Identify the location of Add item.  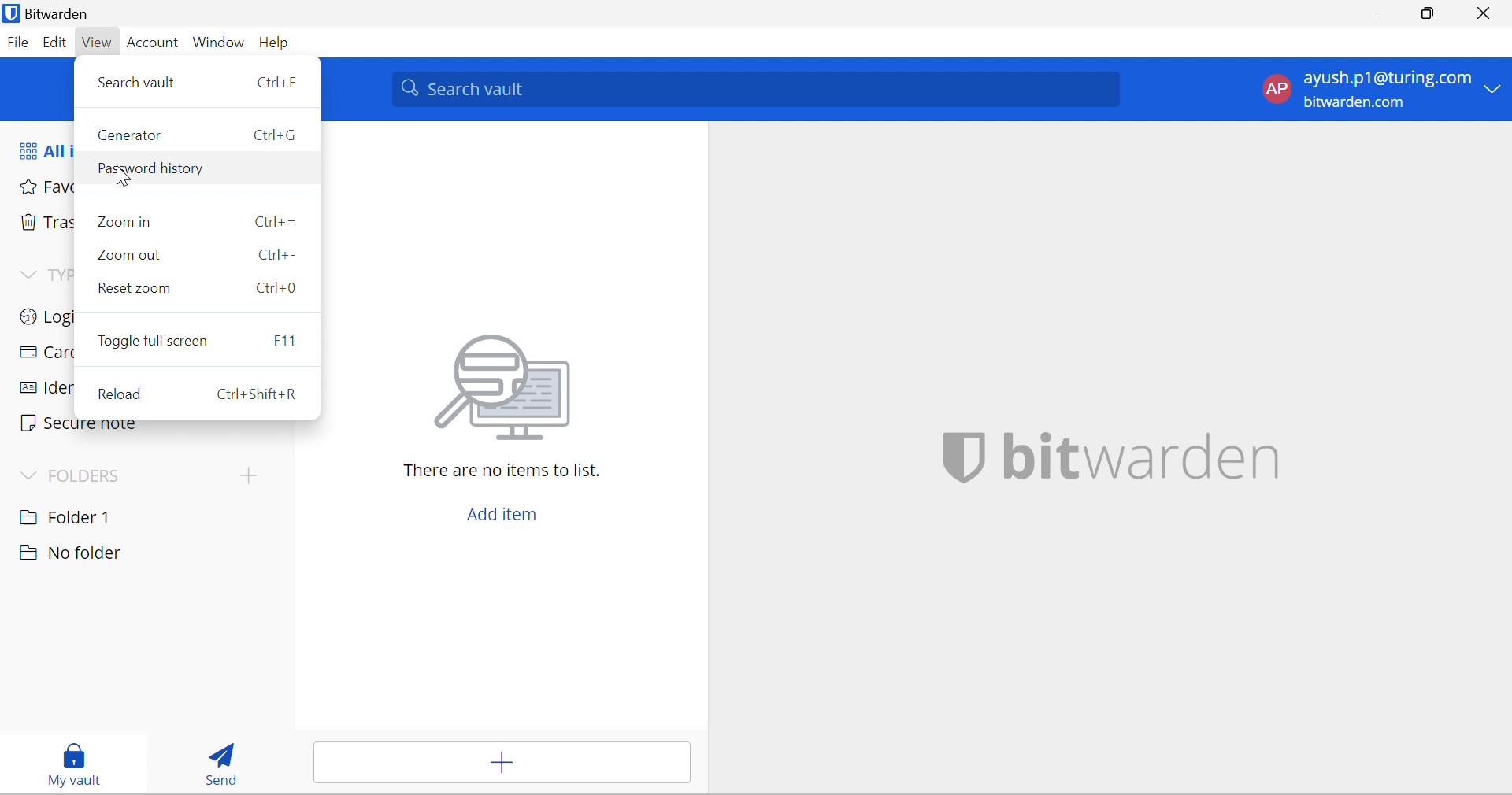
(497, 512).